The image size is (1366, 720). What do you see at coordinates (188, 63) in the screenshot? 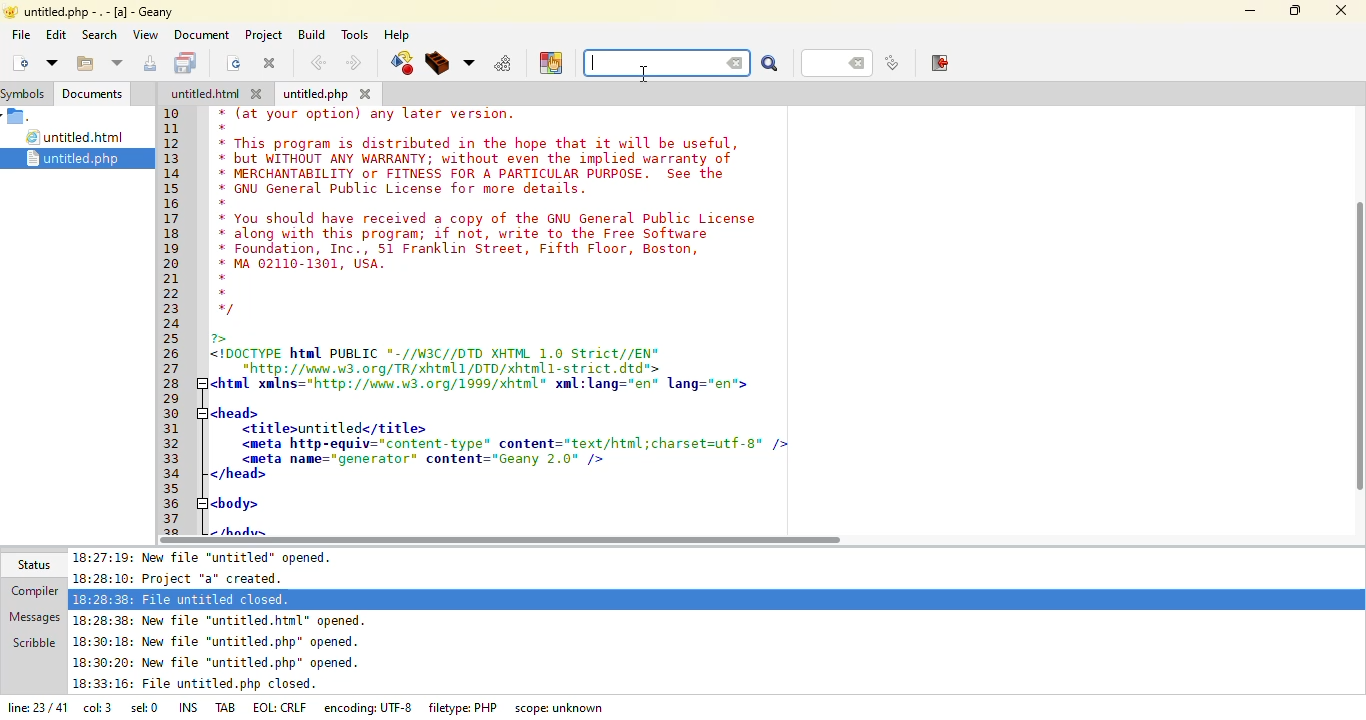
I see `save` at bounding box center [188, 63].